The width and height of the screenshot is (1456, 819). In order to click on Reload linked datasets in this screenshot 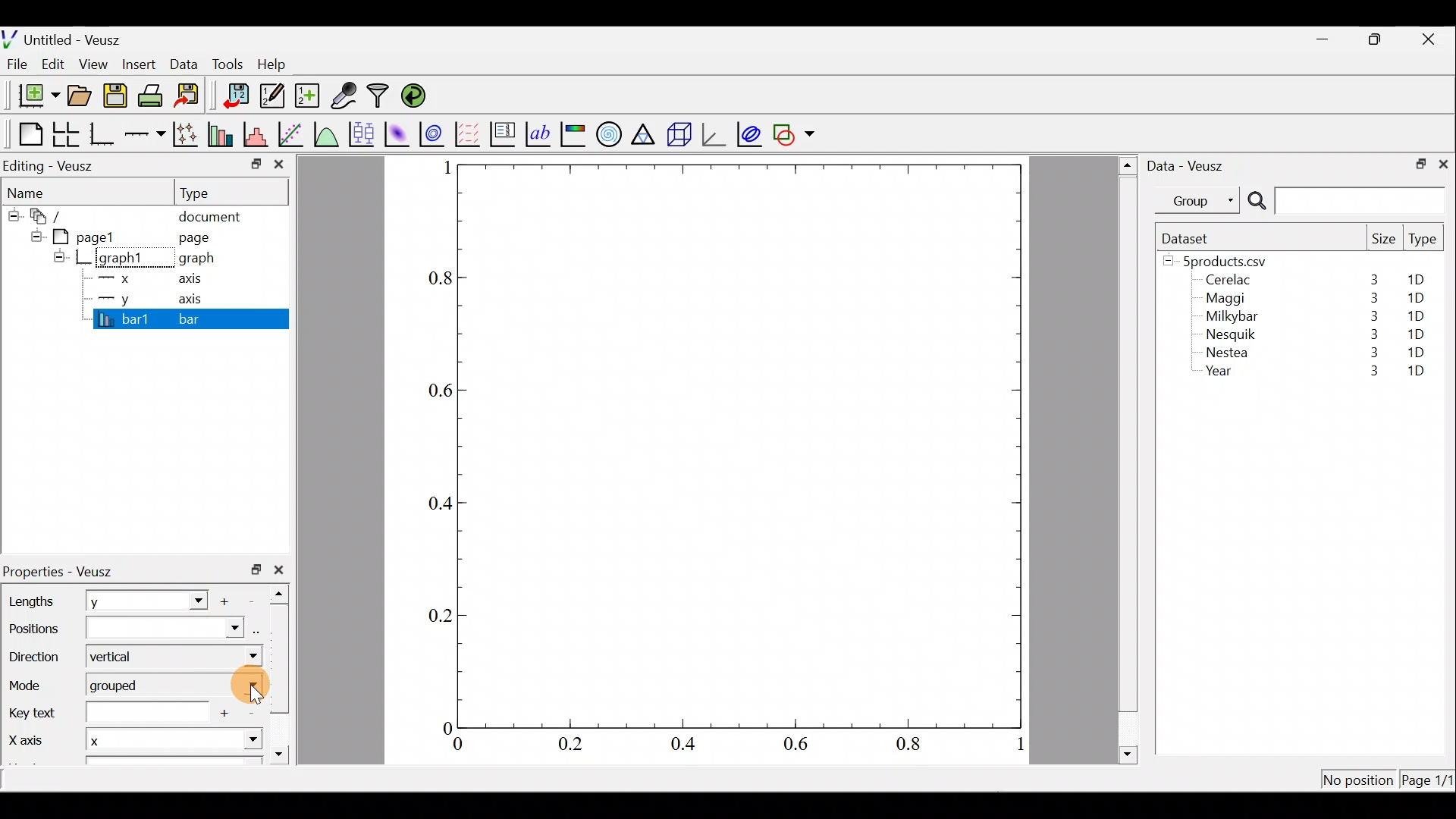, I will do `click(417, 95)`.